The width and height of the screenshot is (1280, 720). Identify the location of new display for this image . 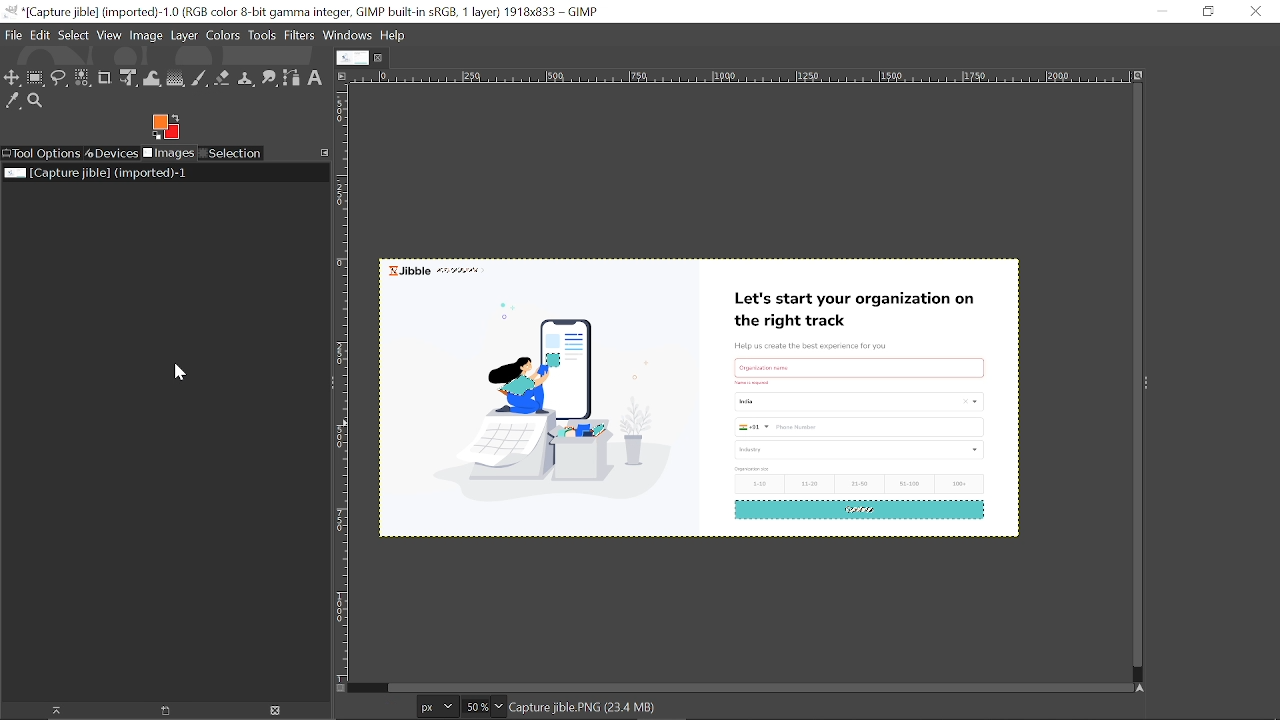
(163, 711).